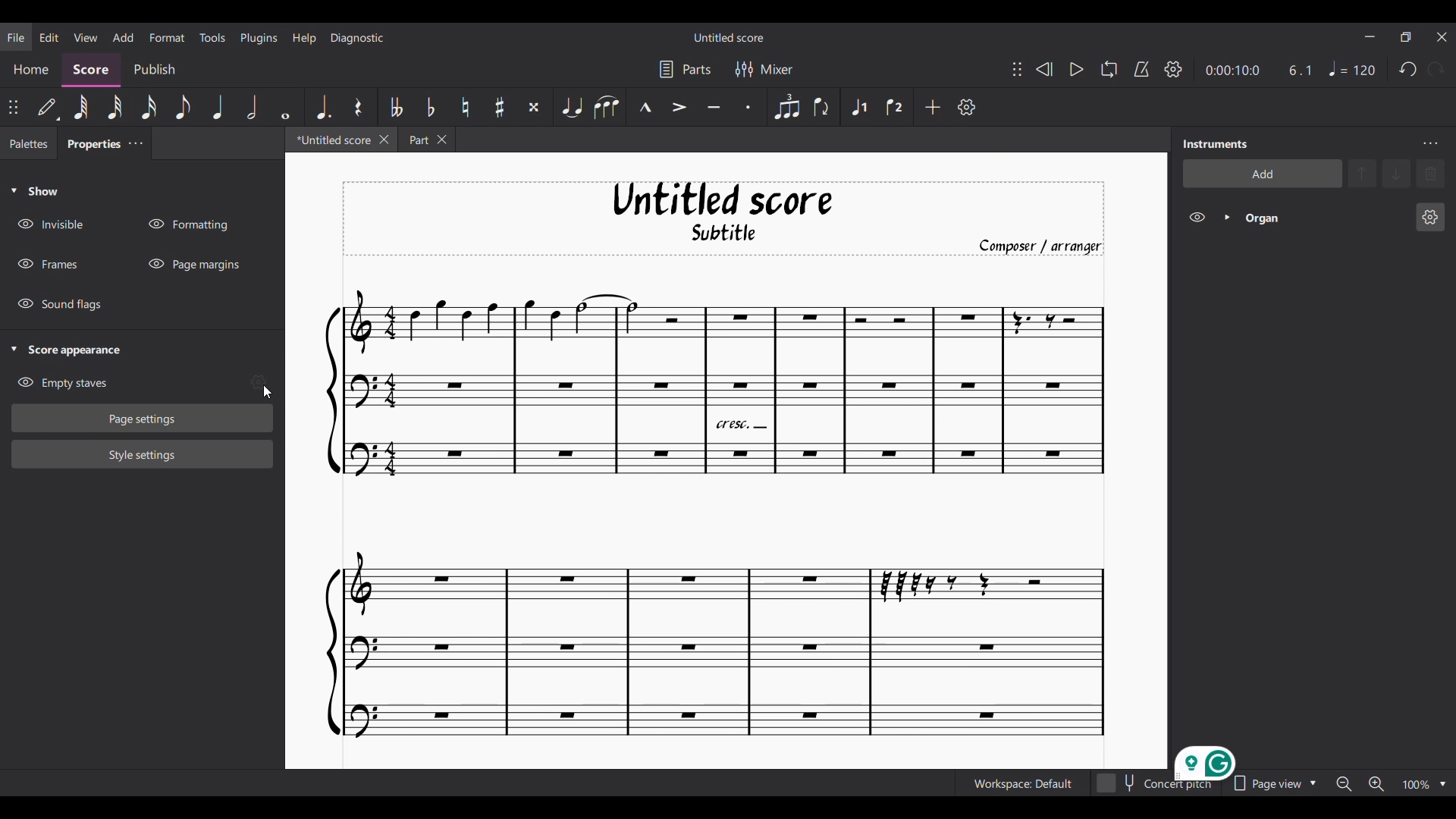 This screenshot has width=1456, height=819. I want to click on Toggle double flat, so click(395, 106).